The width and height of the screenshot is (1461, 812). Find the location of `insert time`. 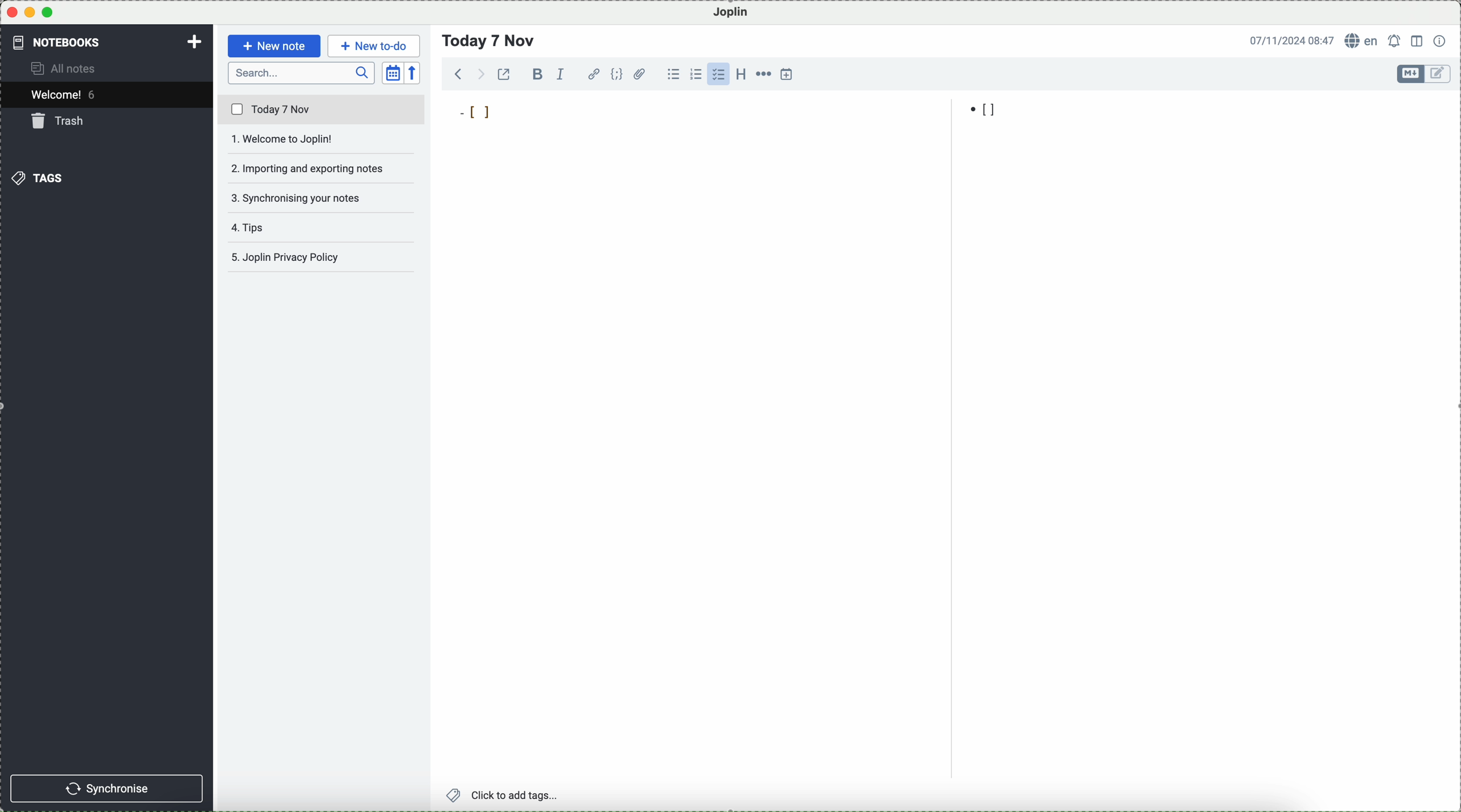

insert time is located at coordinates (787, 74).